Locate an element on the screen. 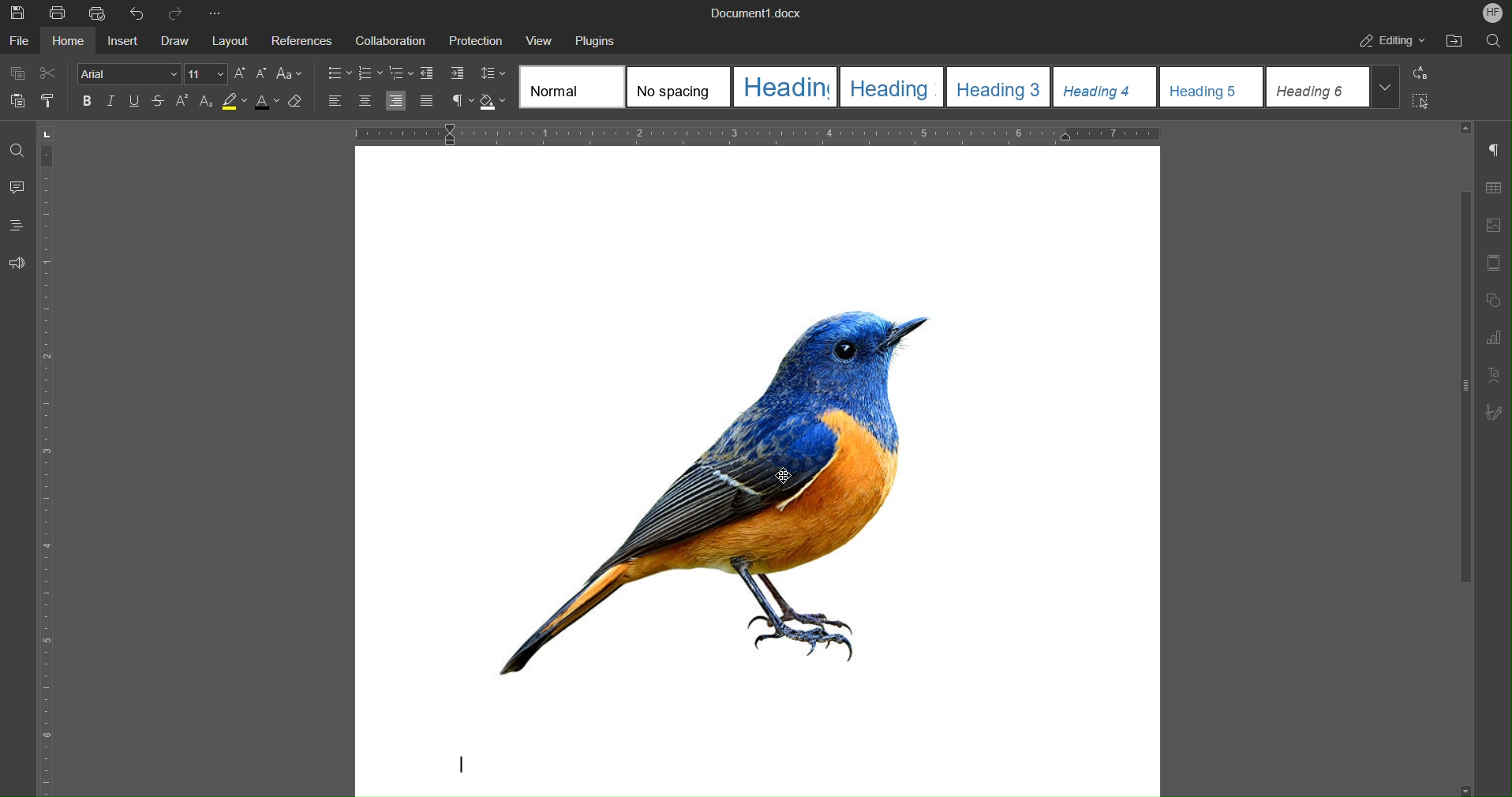  Draw is located at coordinates (175, 39).